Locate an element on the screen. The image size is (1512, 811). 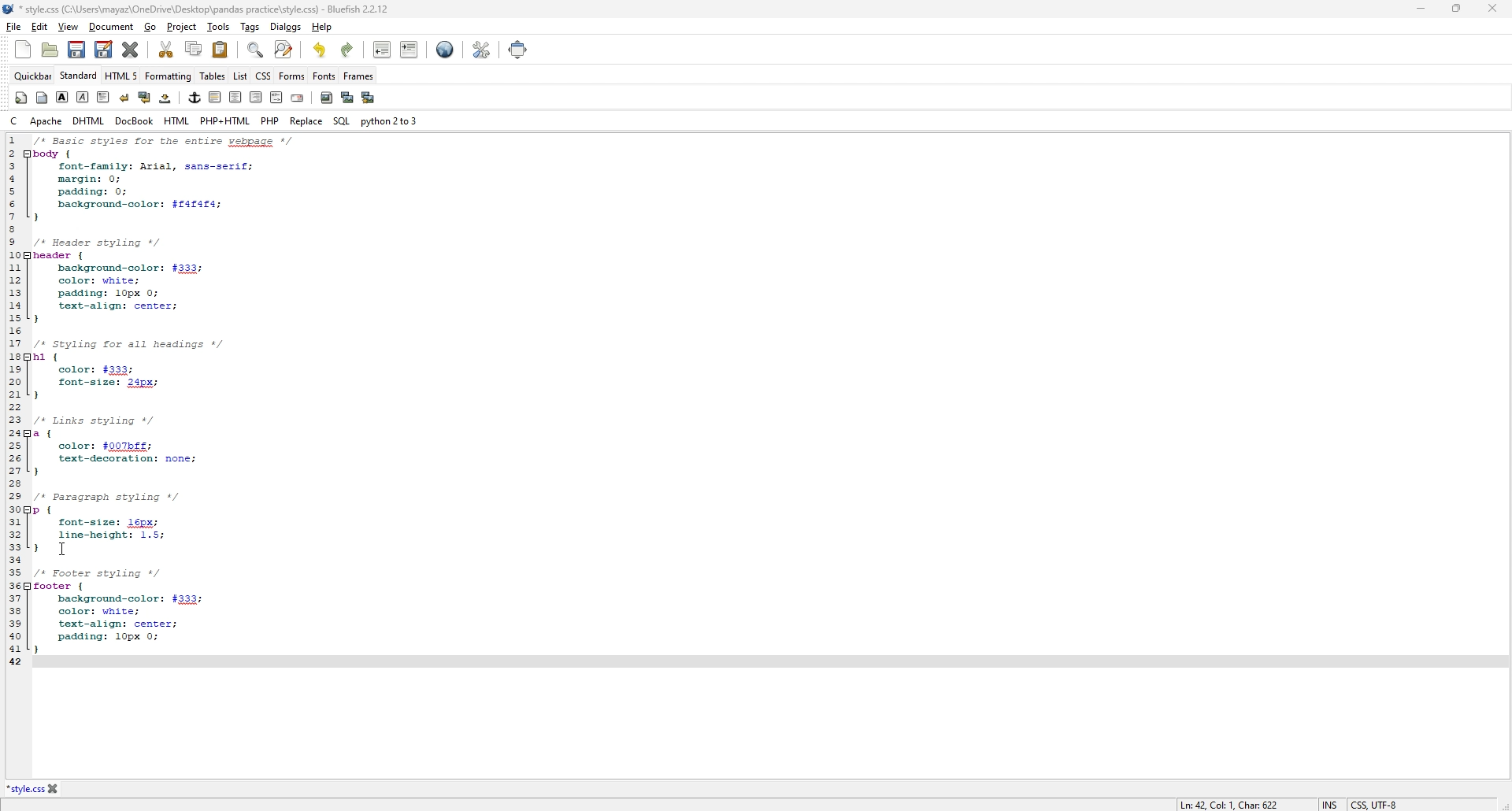
INS is located at coordinates (1332, 803).